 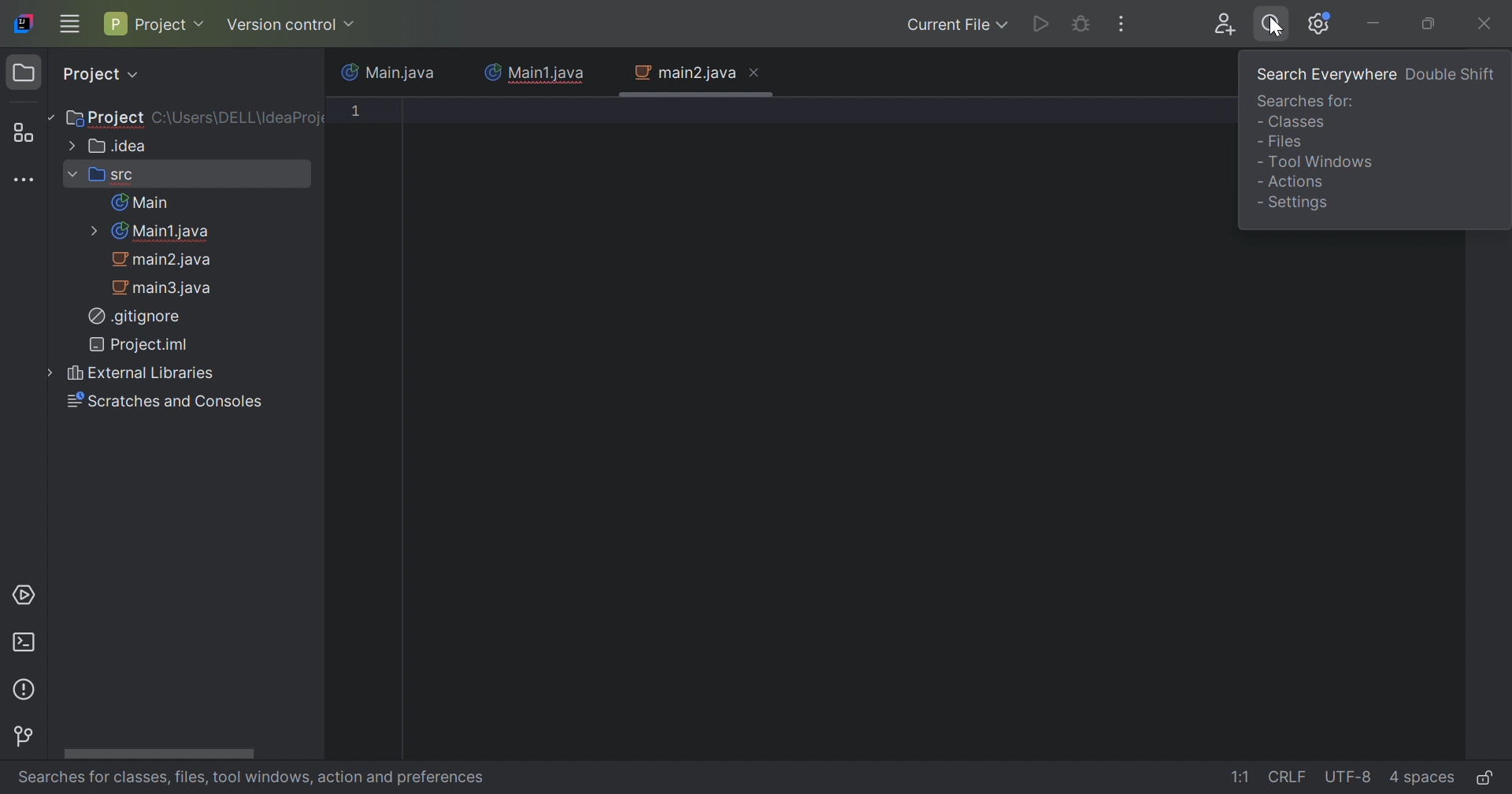 What do you see at coordinates (24, 178) in the screenshot?
I see `More tool windows` at bounding box center [24, 178].